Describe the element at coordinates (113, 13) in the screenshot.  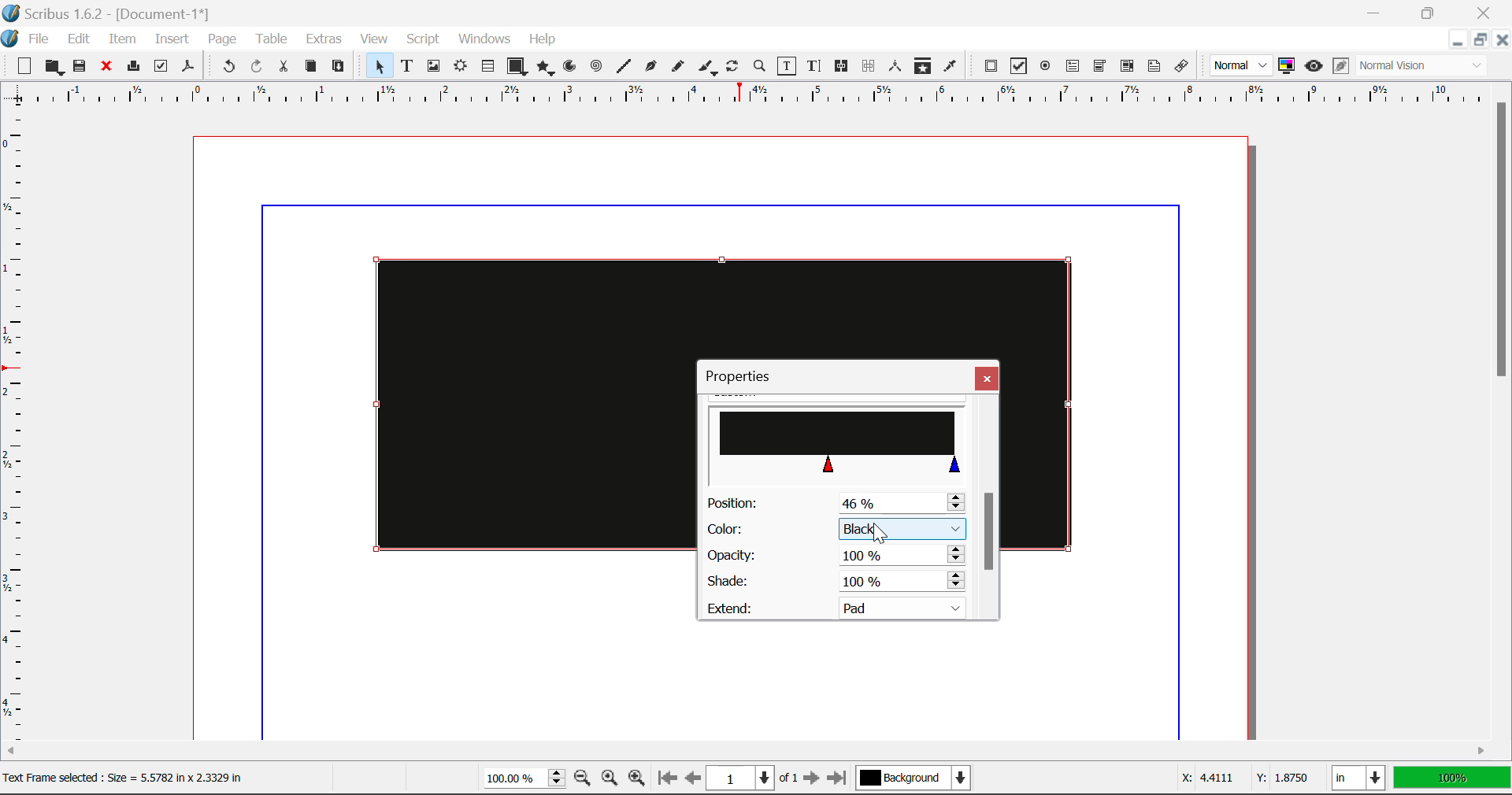
I see `Scribus 1.6.2 - [Document-1*]` at that location.